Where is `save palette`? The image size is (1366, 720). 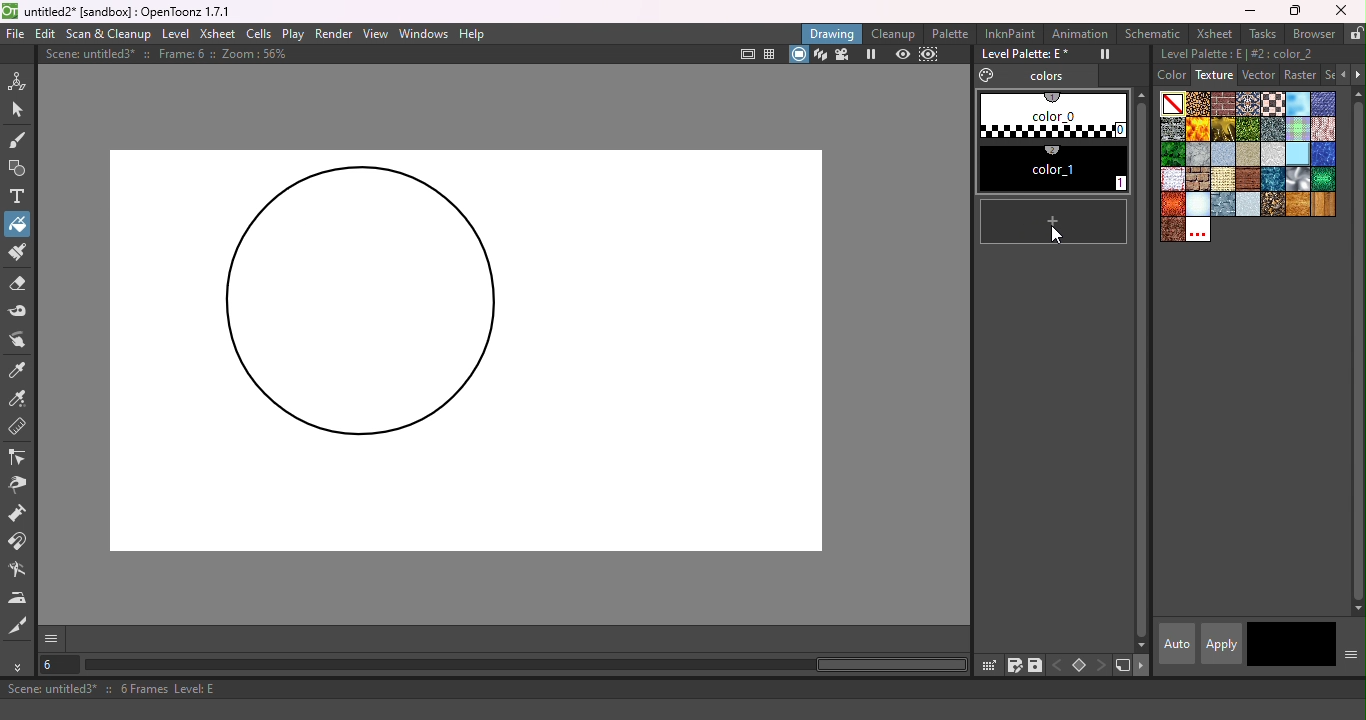
save palette is located at coordinates (1036, 665).